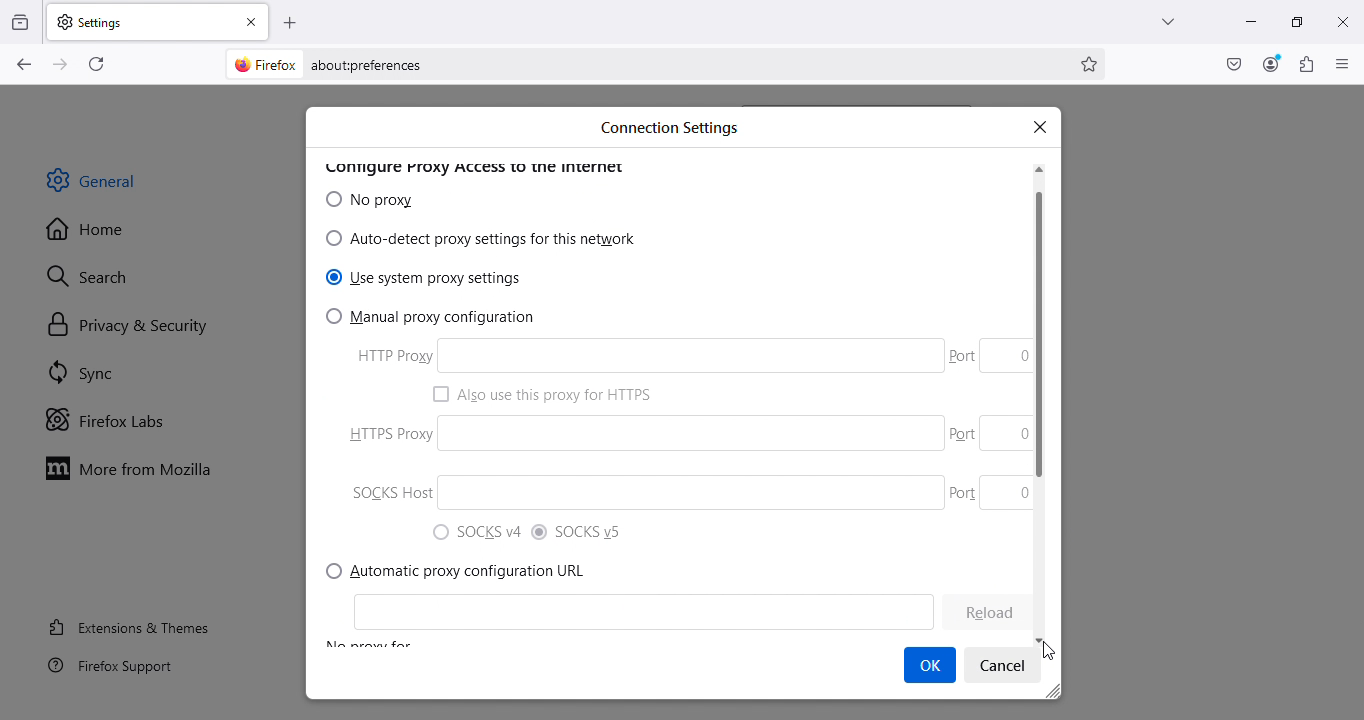 This screenshot has width=1364, height=720. I want to click on 1 Also use this proxy for HTTPS, so click(560, 391).